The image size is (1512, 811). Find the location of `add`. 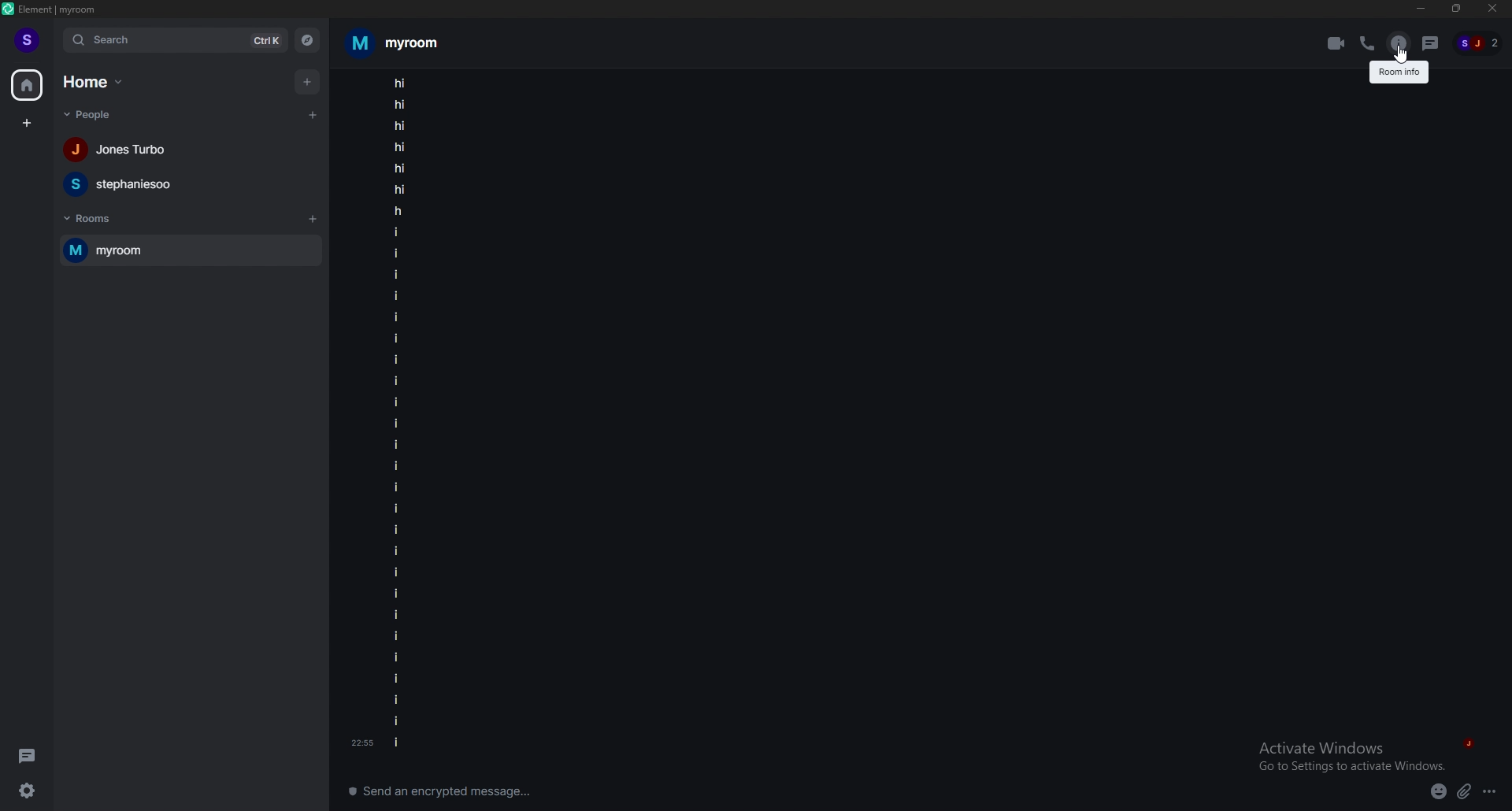

add is located at coordinates (306, 81).